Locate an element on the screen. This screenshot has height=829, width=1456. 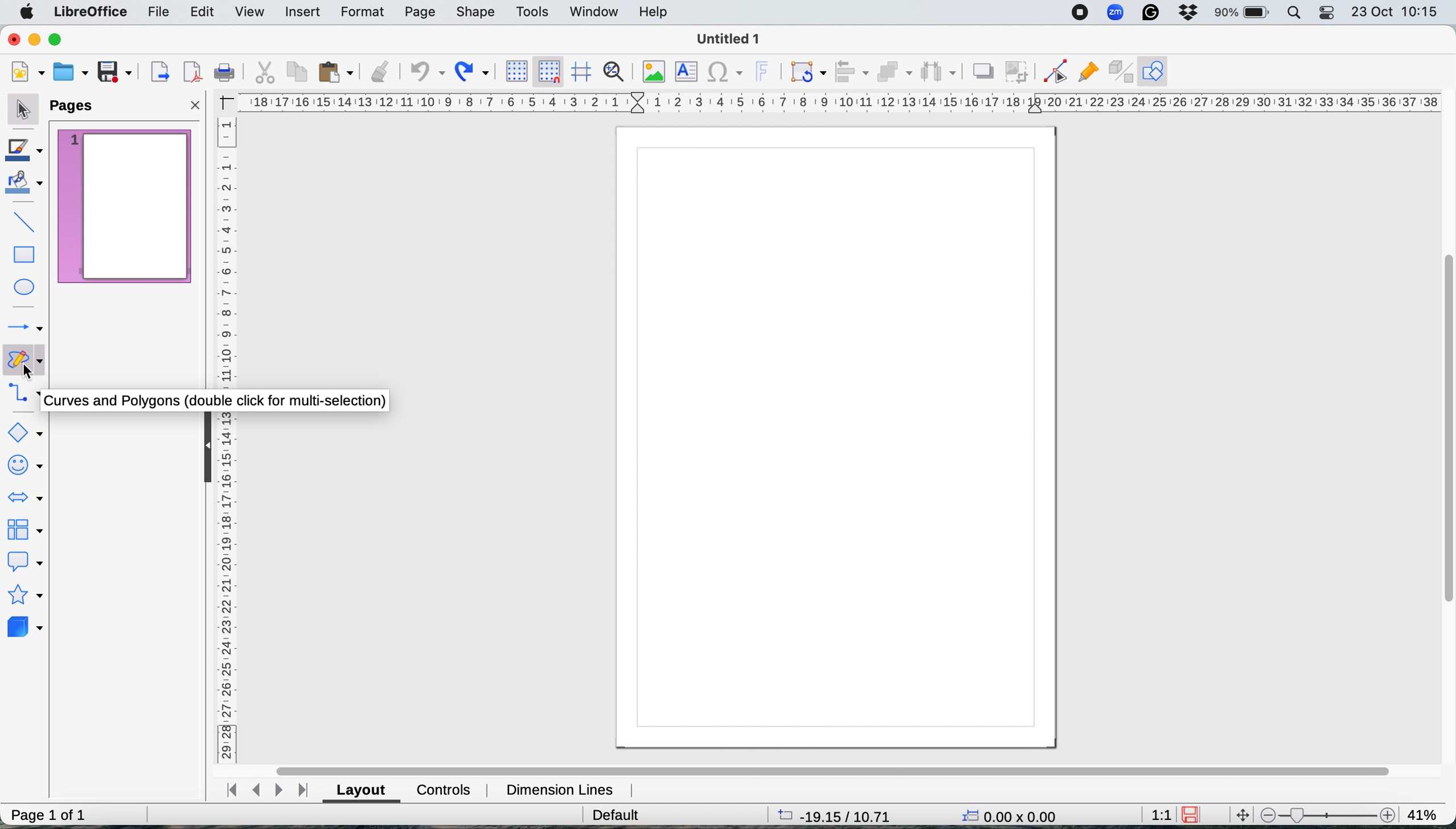
connectors is located at coordinates (18, 397).